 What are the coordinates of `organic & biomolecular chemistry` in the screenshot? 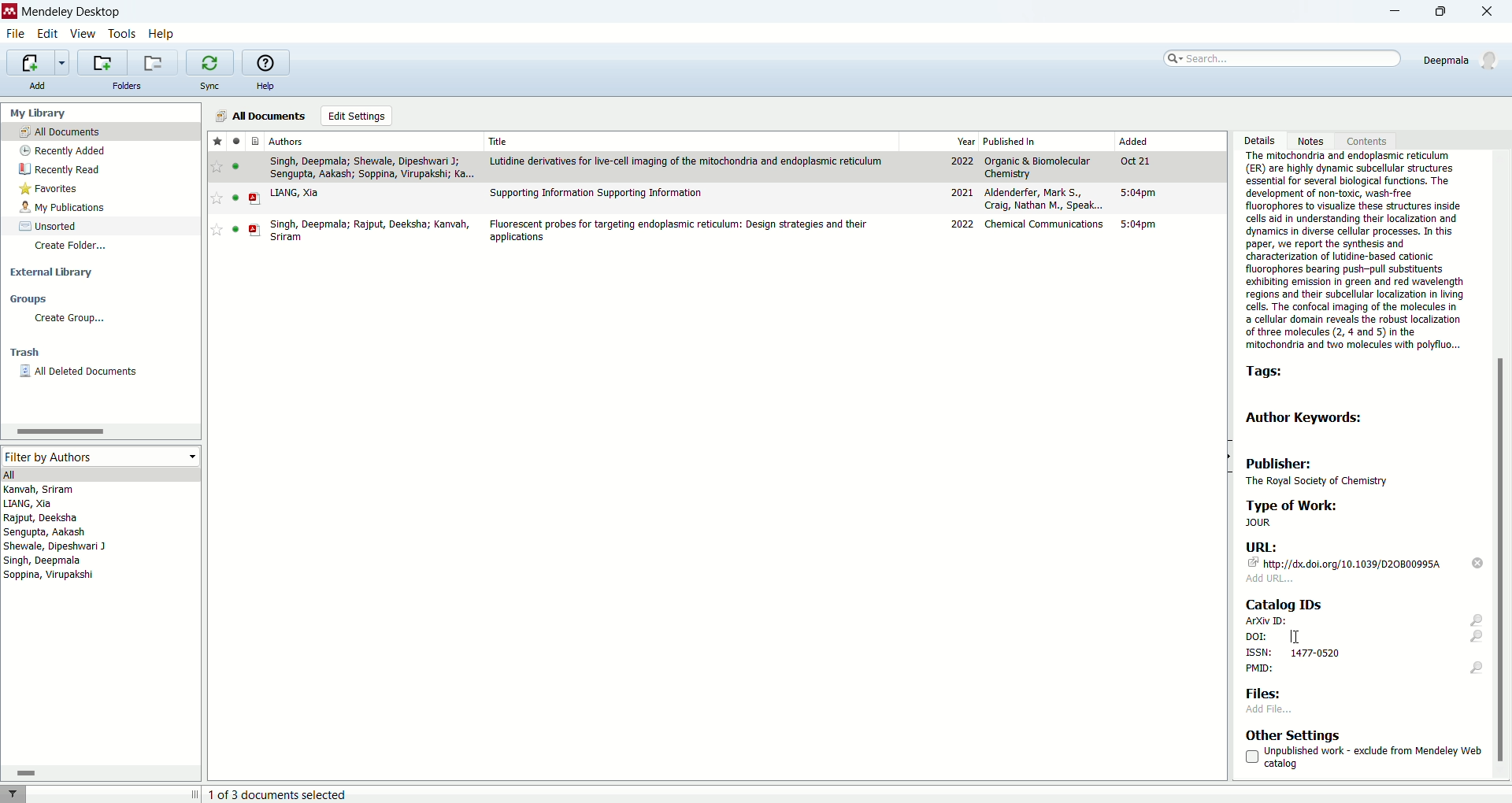 It's located at (1037, 168).